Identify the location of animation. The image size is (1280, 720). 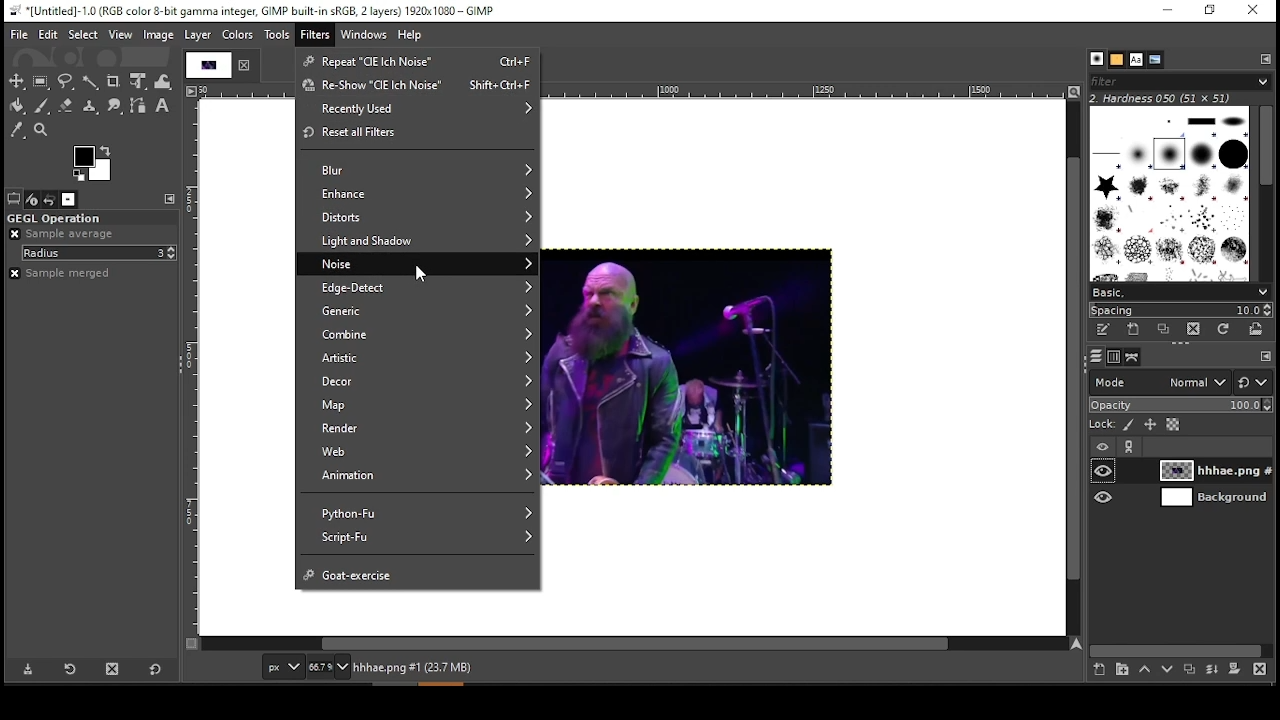
(415, 476).